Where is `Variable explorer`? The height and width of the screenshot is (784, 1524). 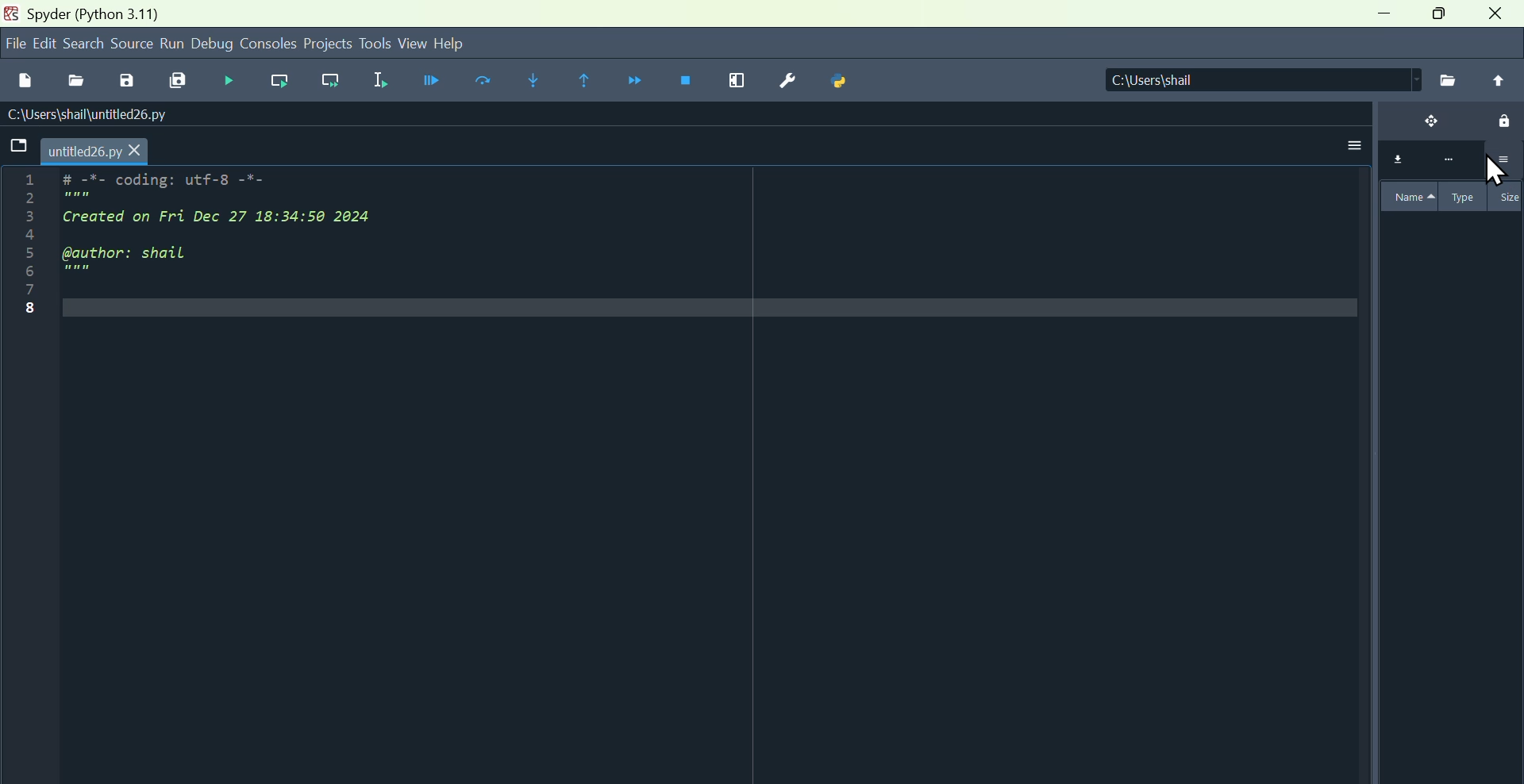
Variable explorer is located at coordinates (1448, 288).